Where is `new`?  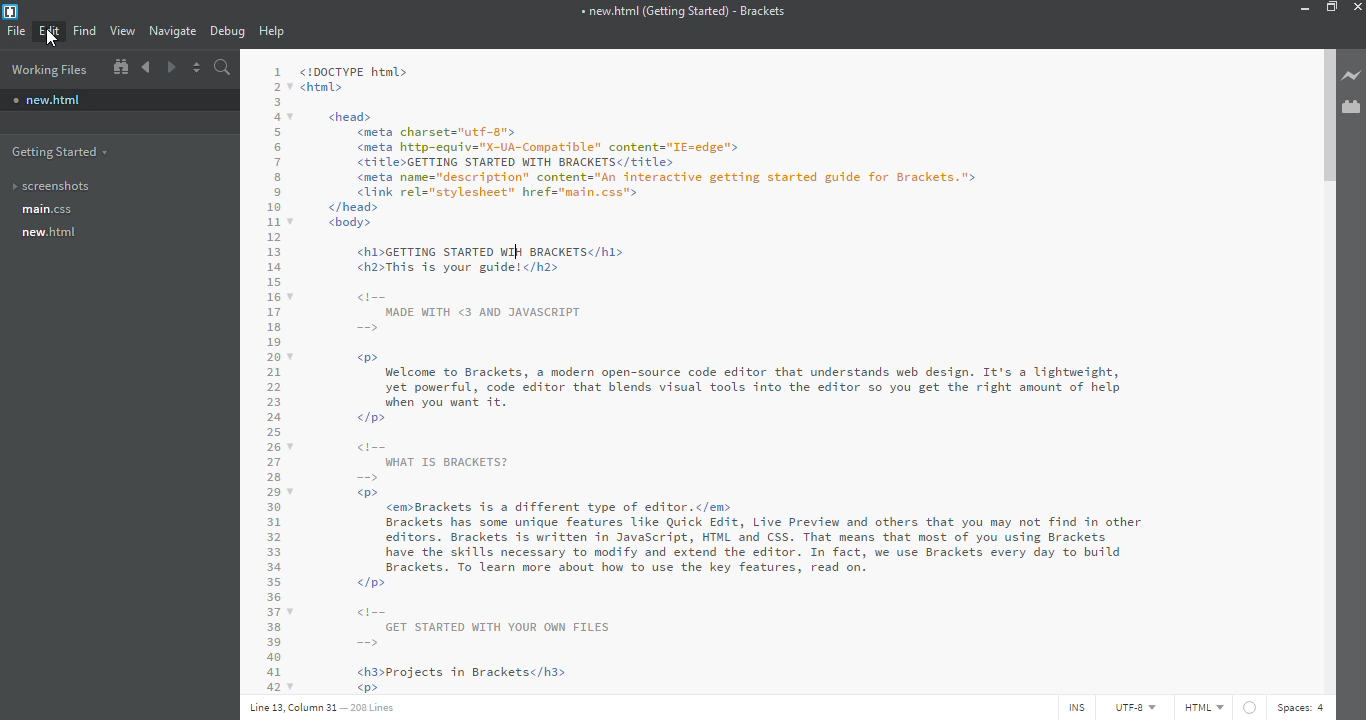
new is located at coordinates (53, 232).